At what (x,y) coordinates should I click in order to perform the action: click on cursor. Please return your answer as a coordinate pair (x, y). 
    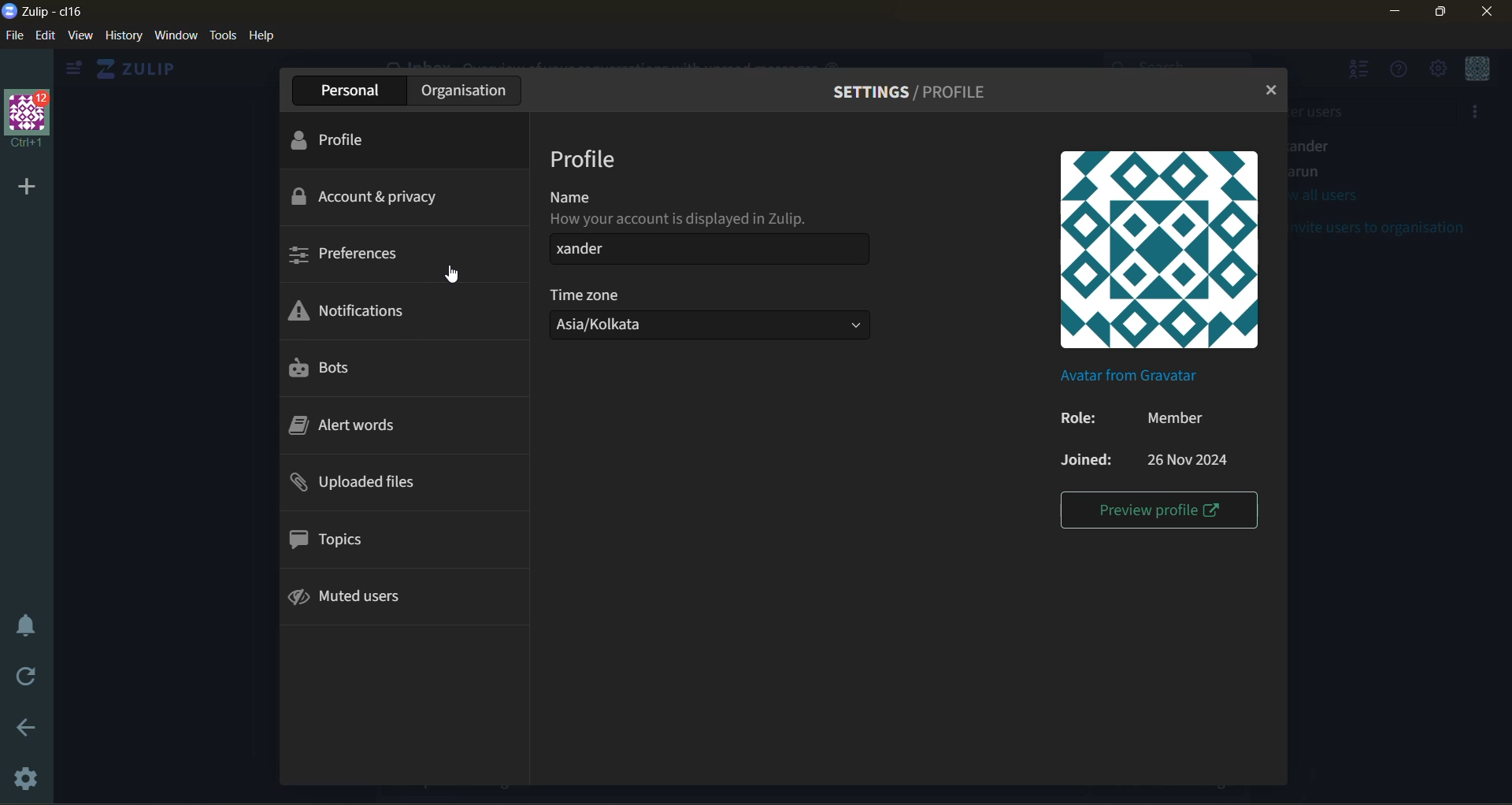
    Looking at the image, I should click on (461, 278).